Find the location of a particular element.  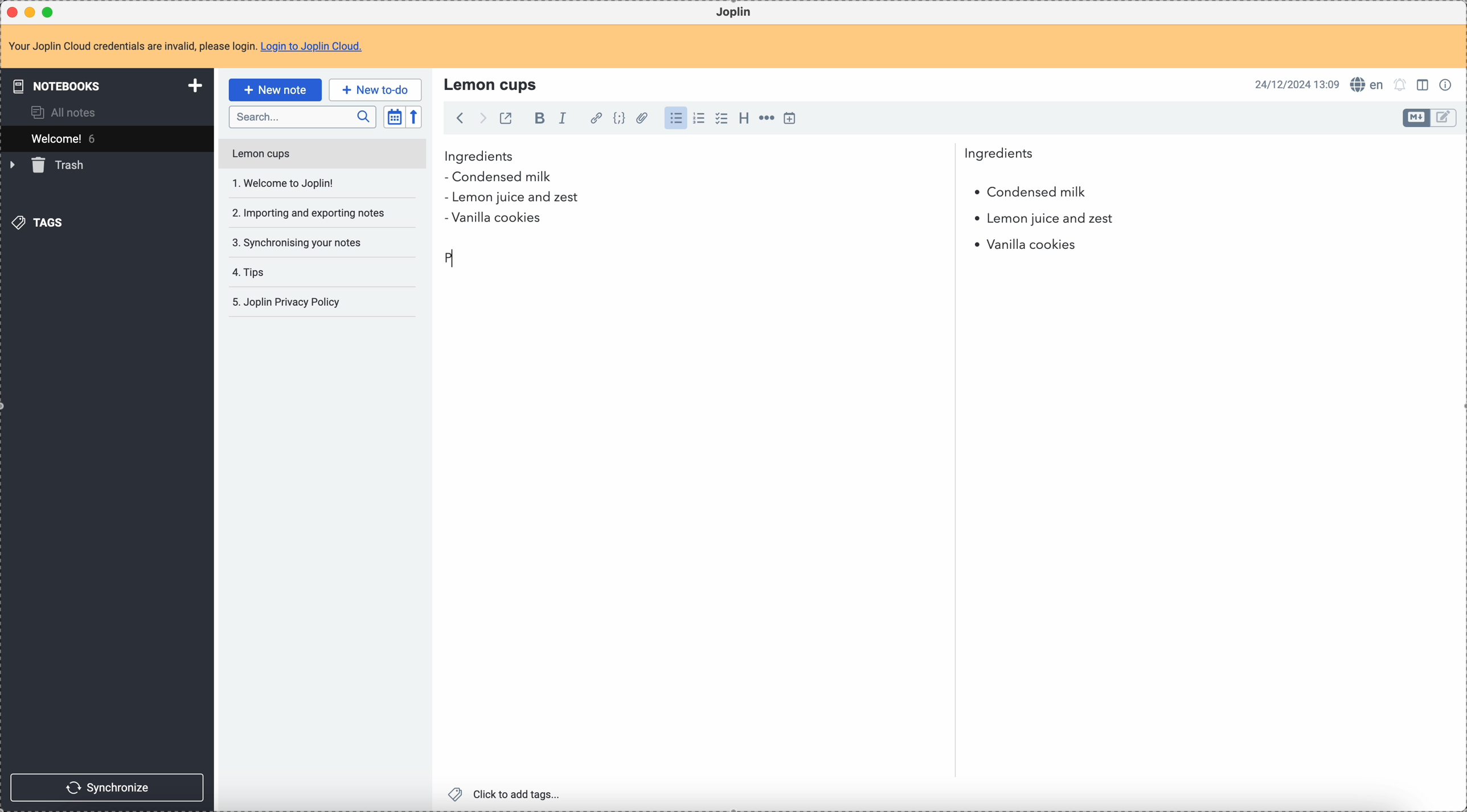

new to-do is located at coordinates (375, 89).